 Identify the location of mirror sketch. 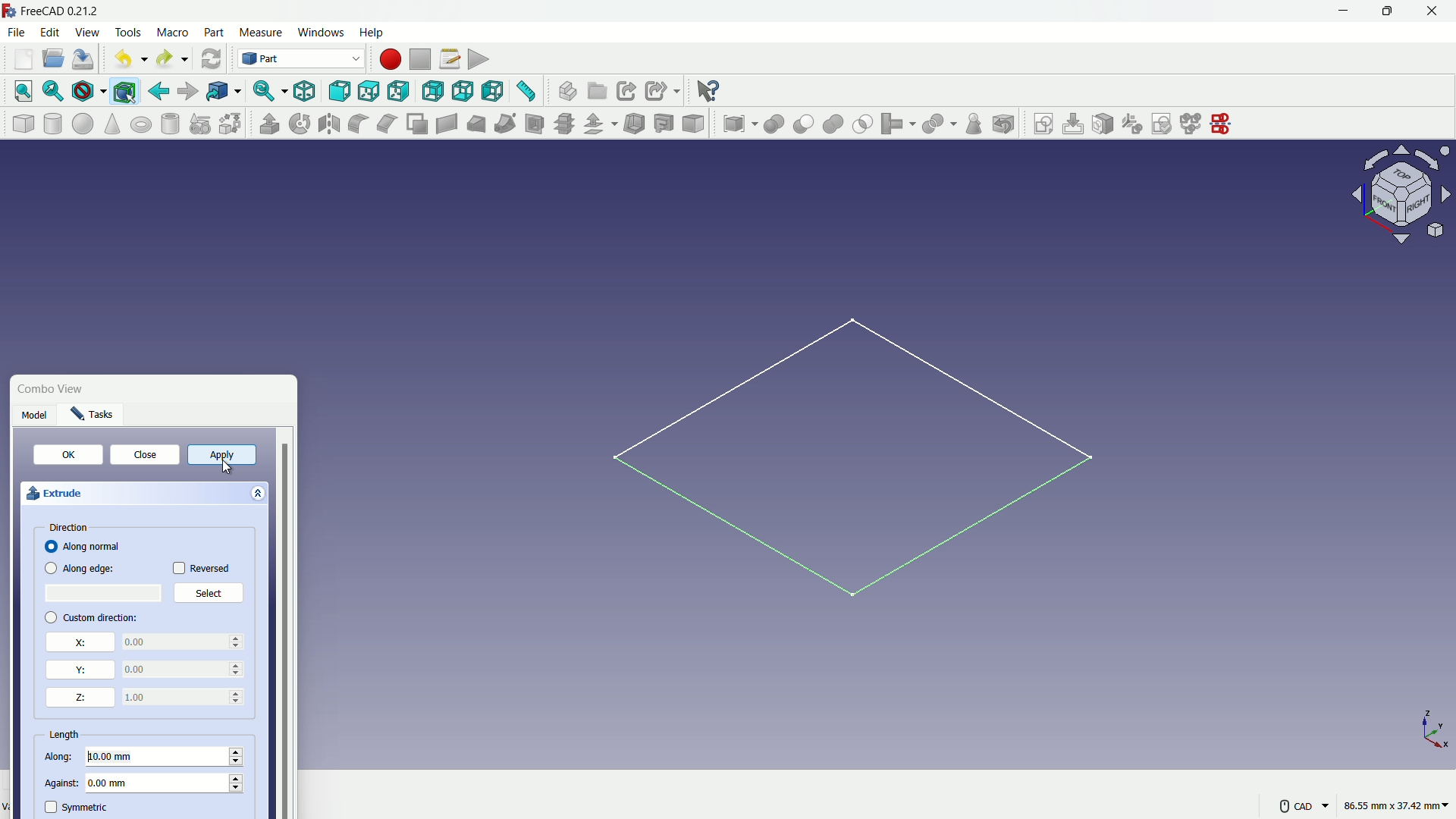
(1226, 123).